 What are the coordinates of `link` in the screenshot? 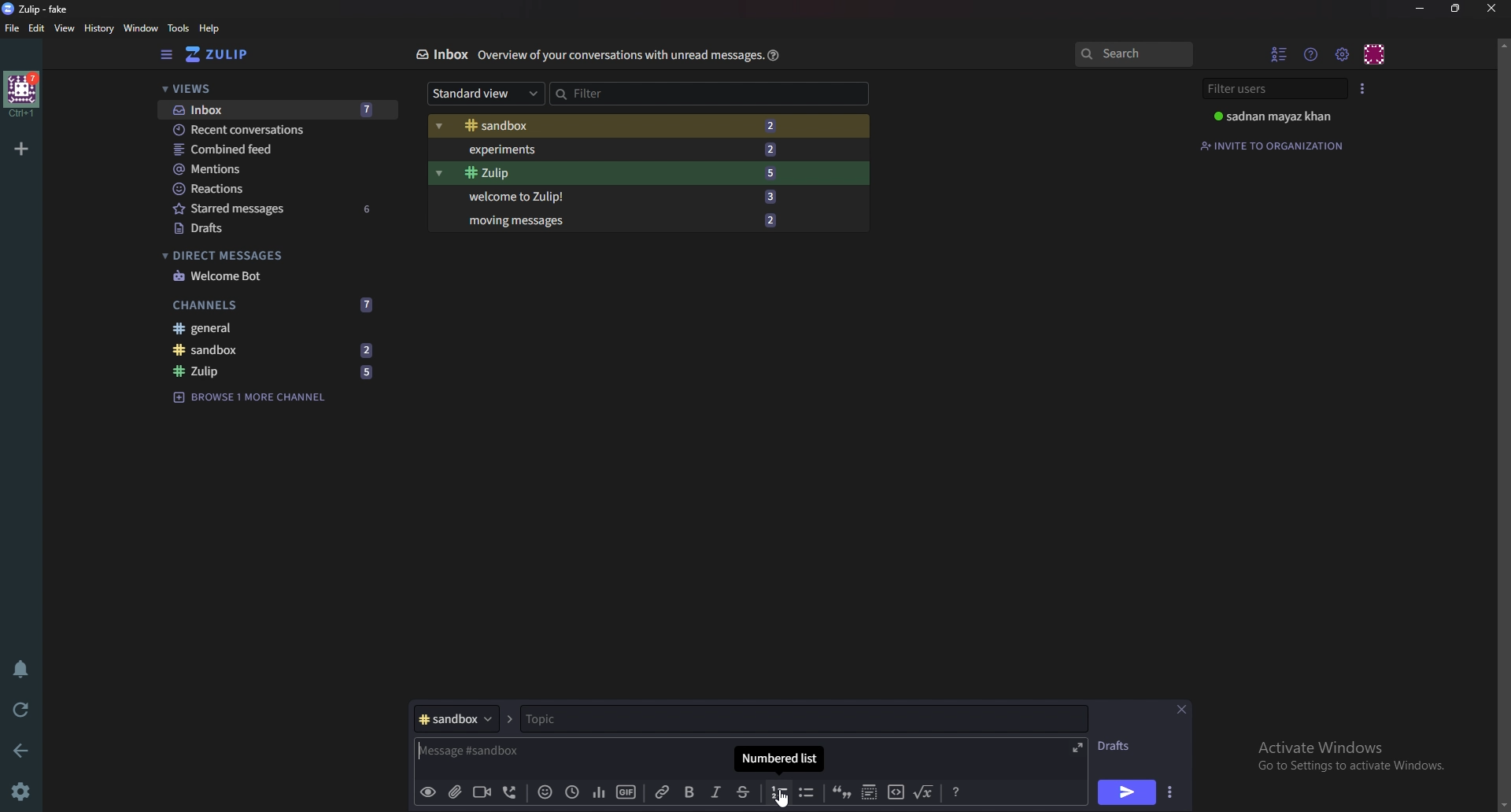 It's located at (663, 792).